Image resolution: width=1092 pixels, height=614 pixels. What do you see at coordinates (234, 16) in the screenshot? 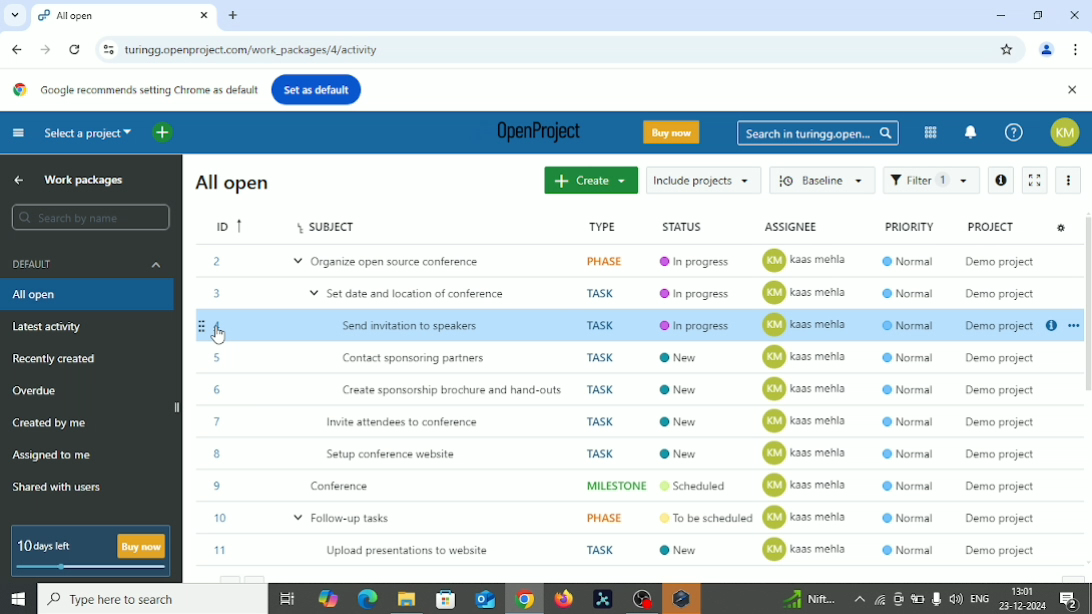
I see `New tab` at bounding box center [234, 16].